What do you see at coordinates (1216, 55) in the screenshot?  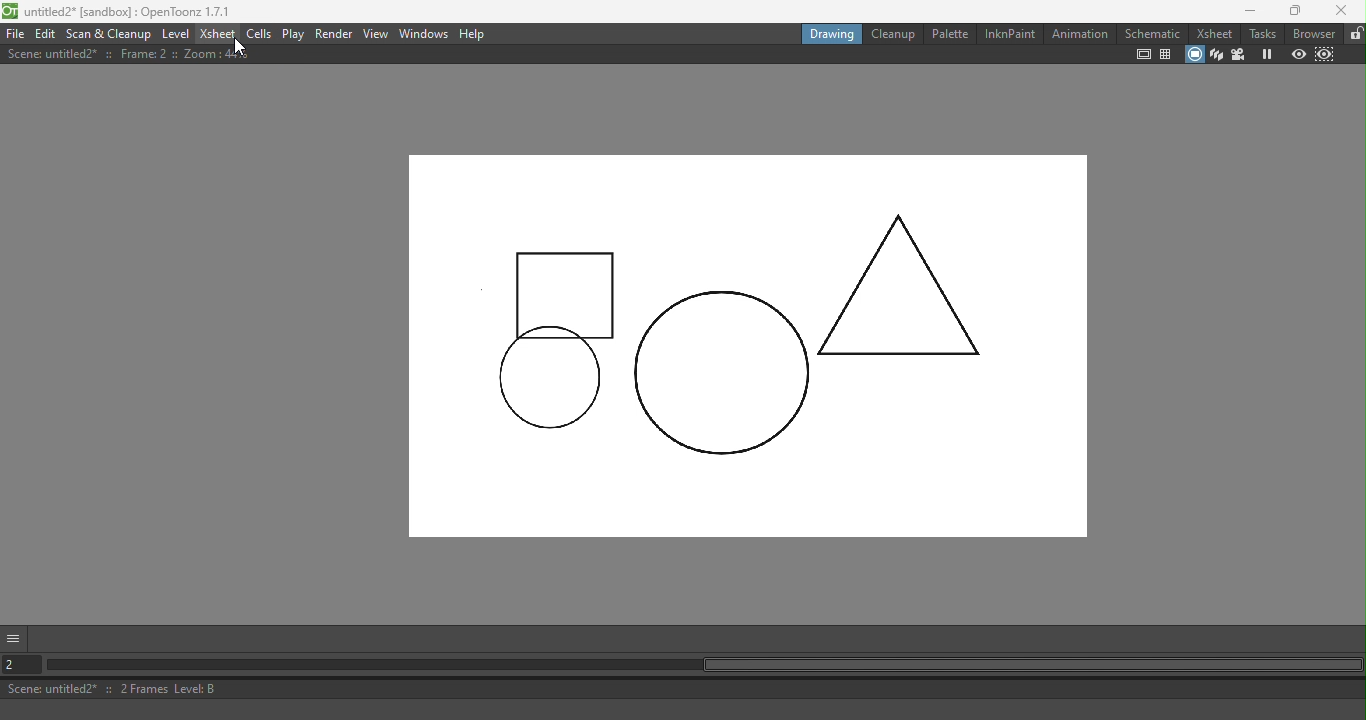 I see `3D view` at bounding box center [1216, 55].